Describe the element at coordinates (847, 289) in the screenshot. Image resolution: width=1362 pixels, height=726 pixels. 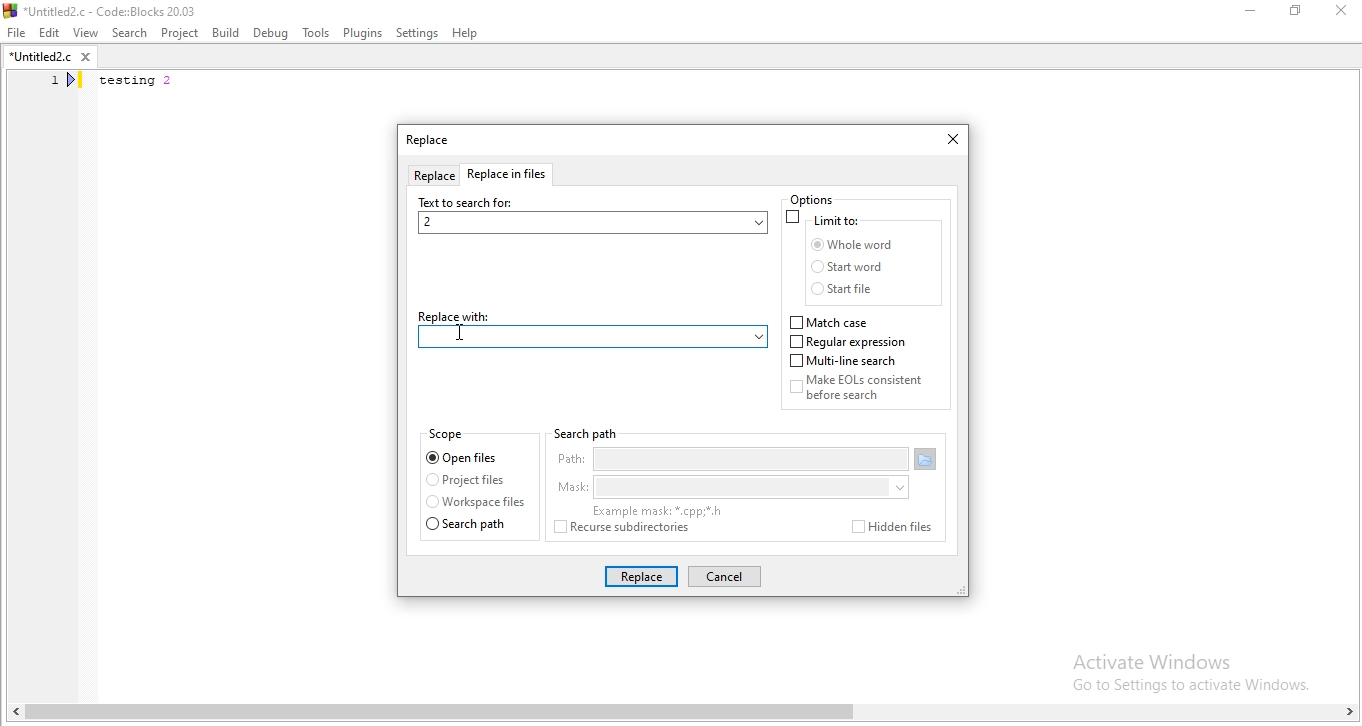
I see `start file` at that location.